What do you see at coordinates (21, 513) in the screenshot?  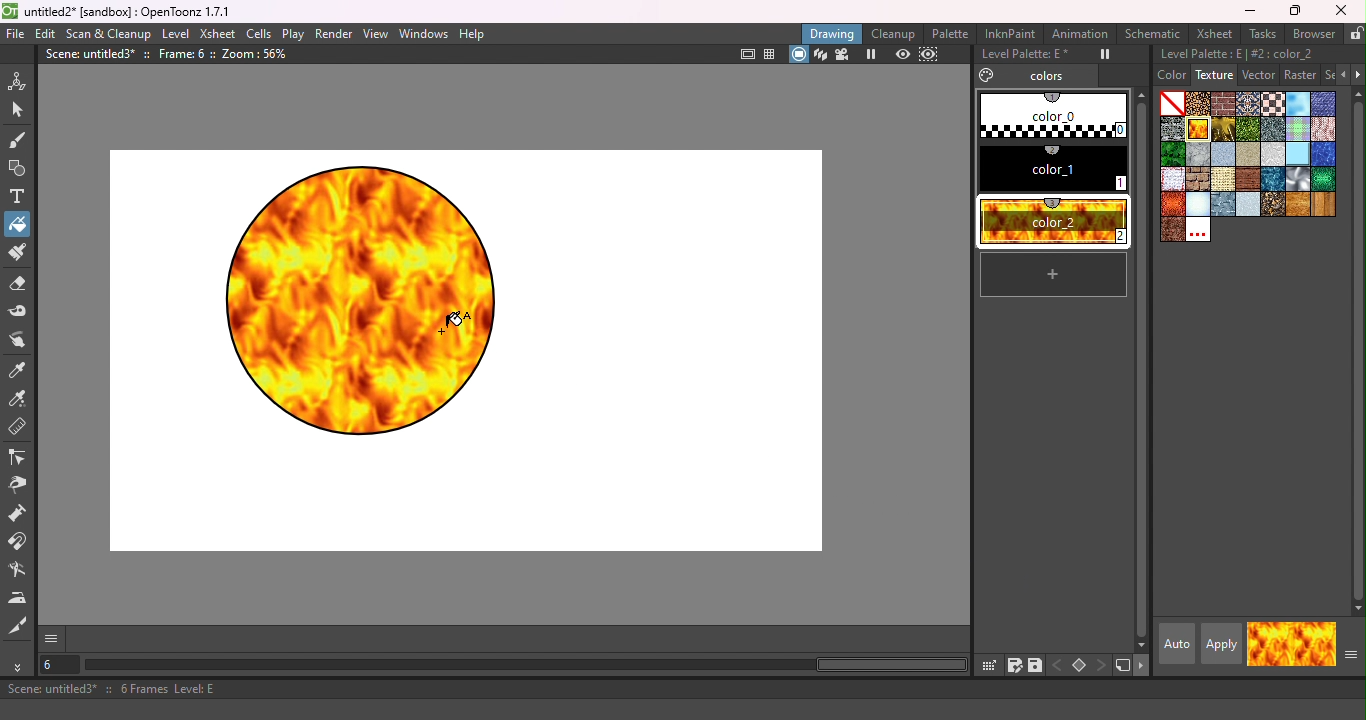 I see `Pump tool` at bounding box center [21, 513].